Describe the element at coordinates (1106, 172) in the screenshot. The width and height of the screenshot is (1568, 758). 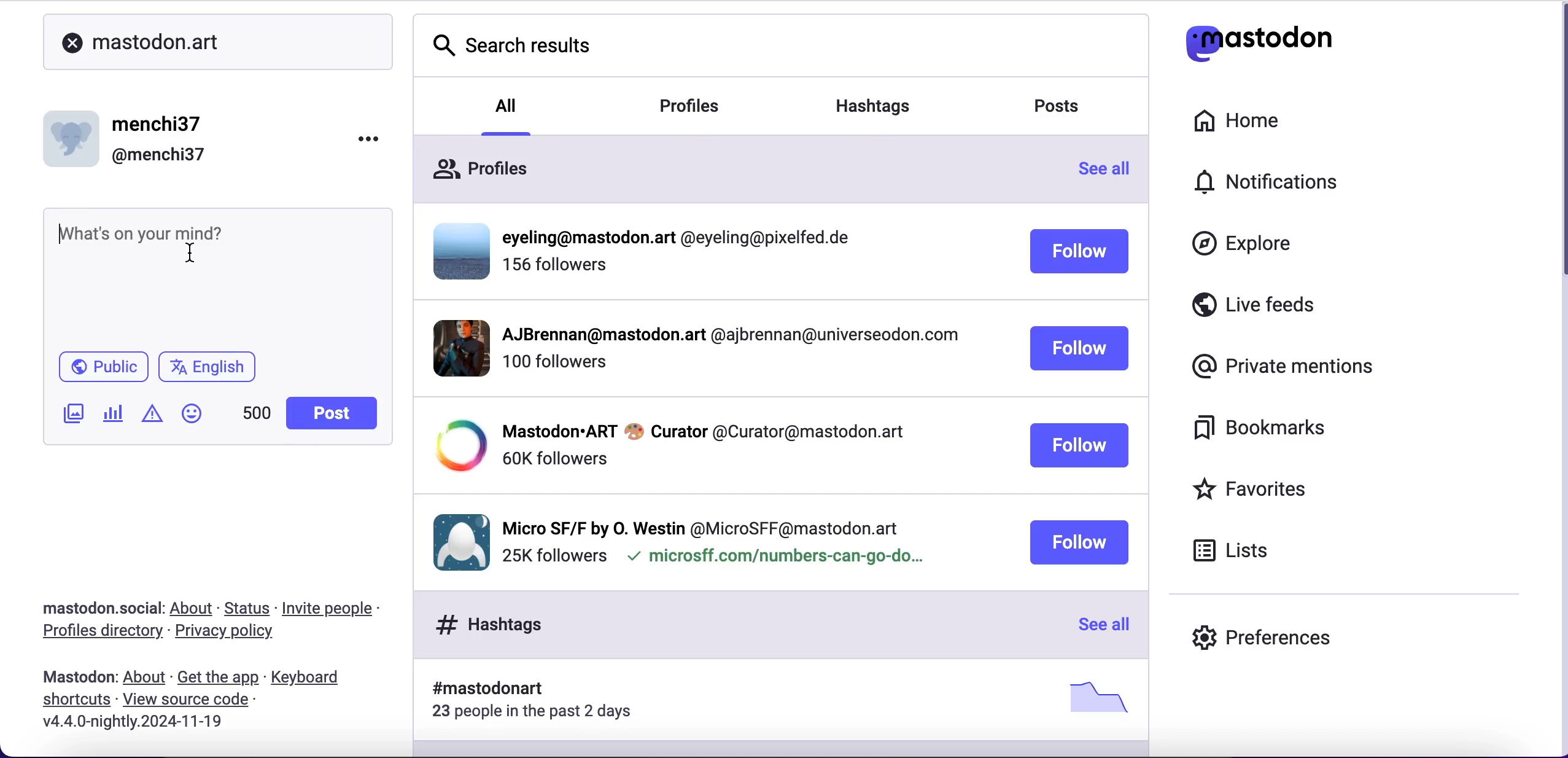
I see `see all` at that location.